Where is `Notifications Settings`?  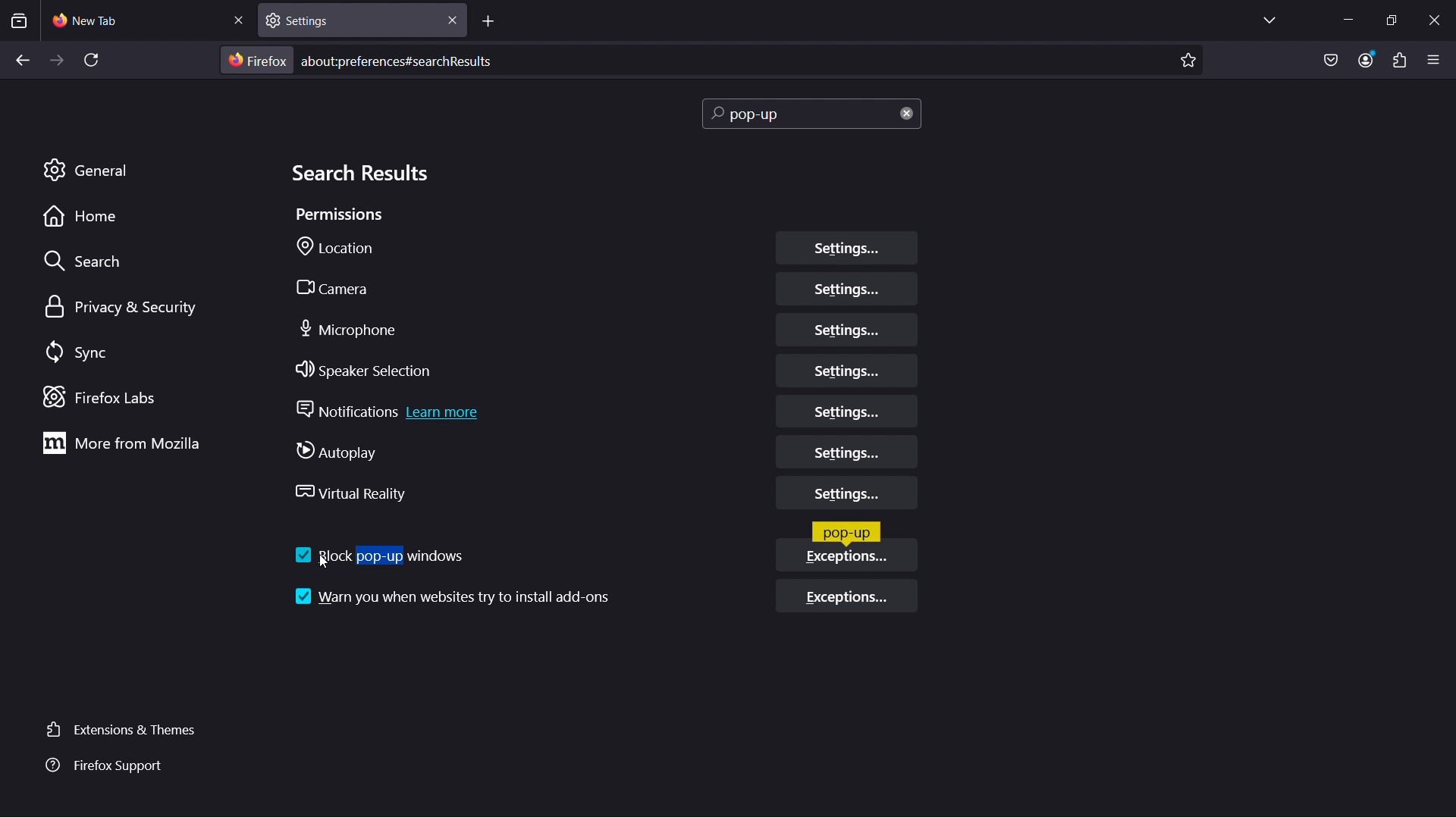
Notifications Settings is located at coordinates (849, 412).